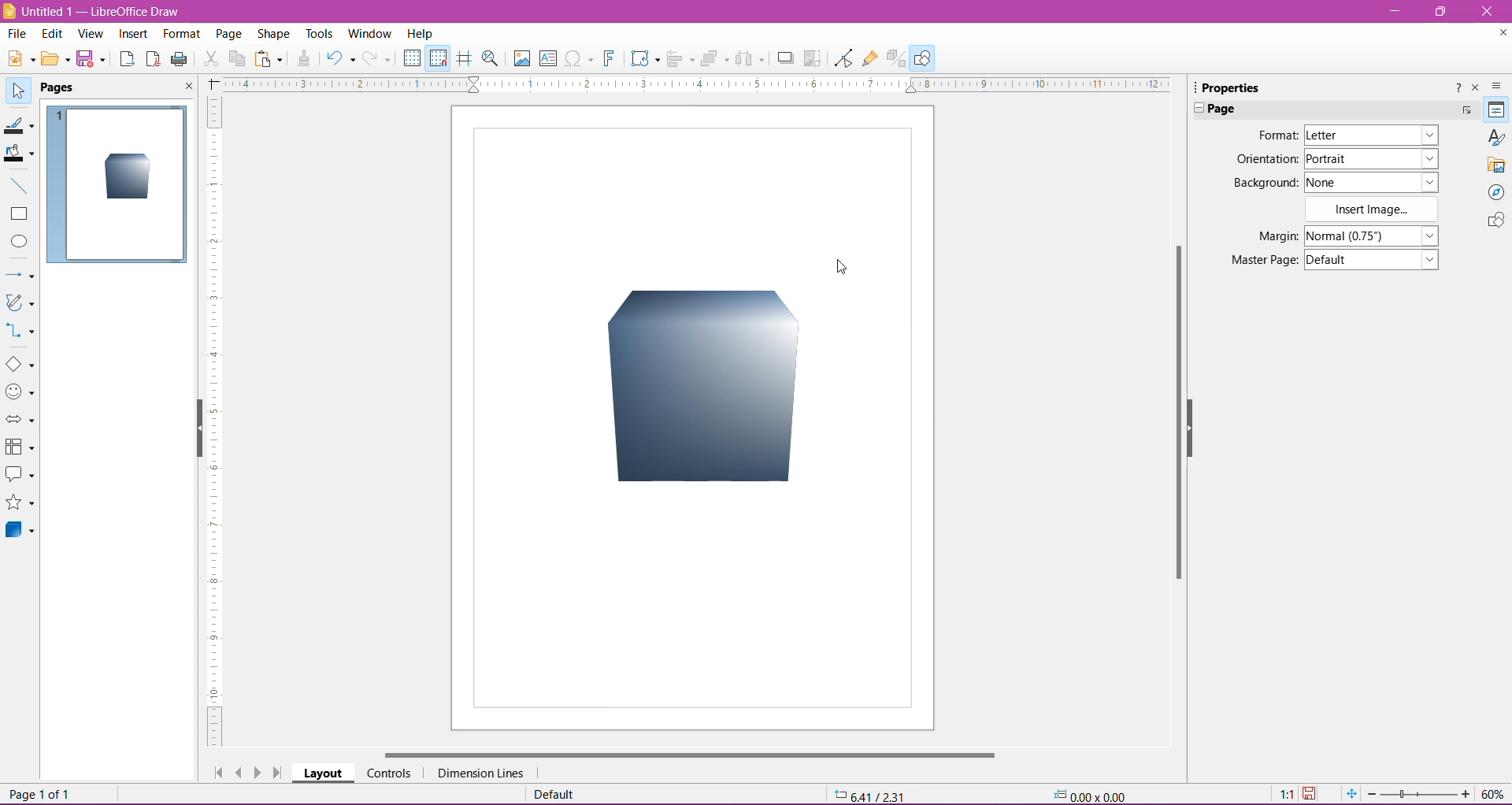 This screenshot has width=1512, height=805. What do you see at coordinates (305, 59) in the screenshot?
I see `Clone Formatting` at bounding box center [305, 59].